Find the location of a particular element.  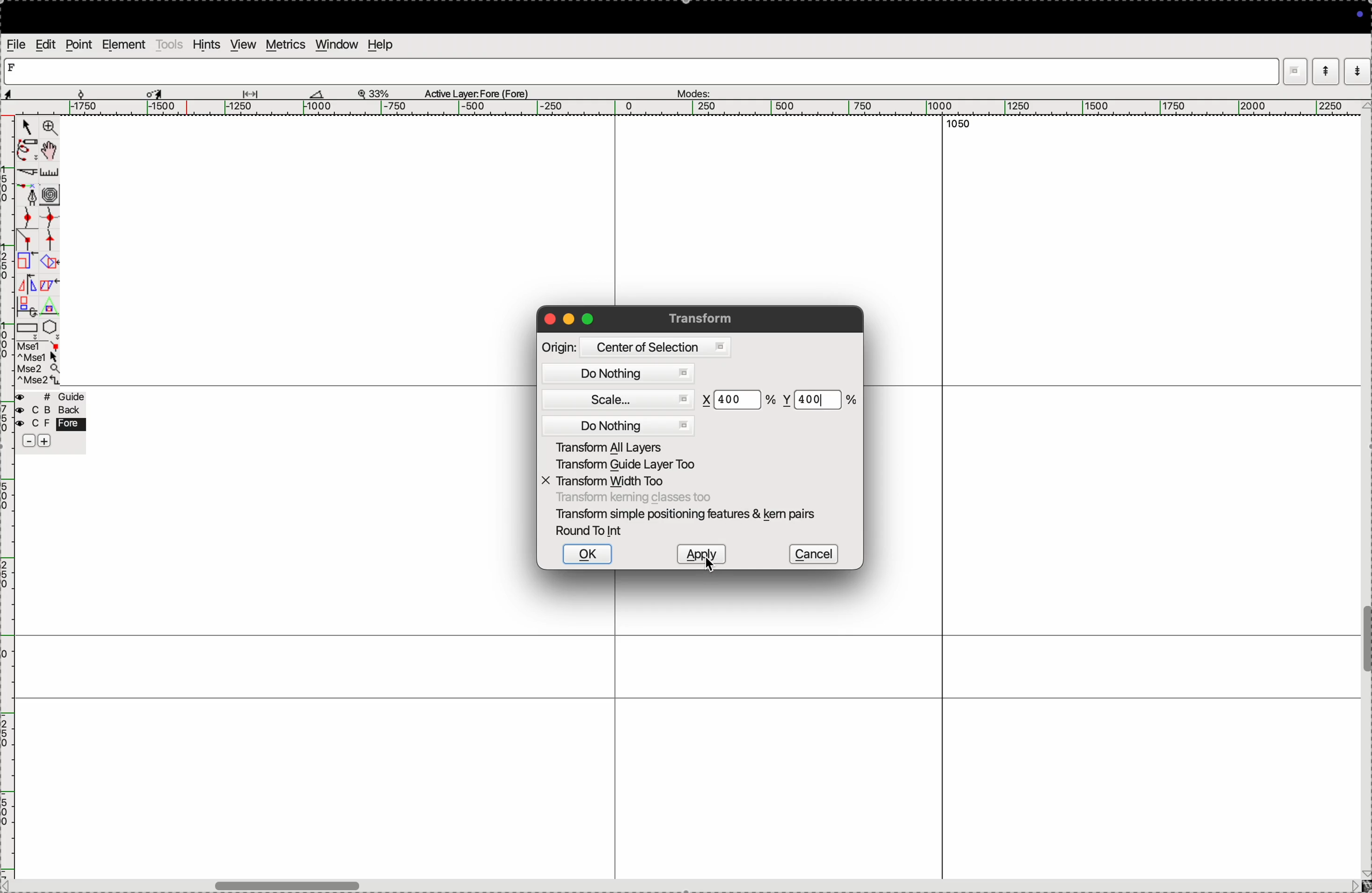

duplicate is located at coordinates (24, 307).